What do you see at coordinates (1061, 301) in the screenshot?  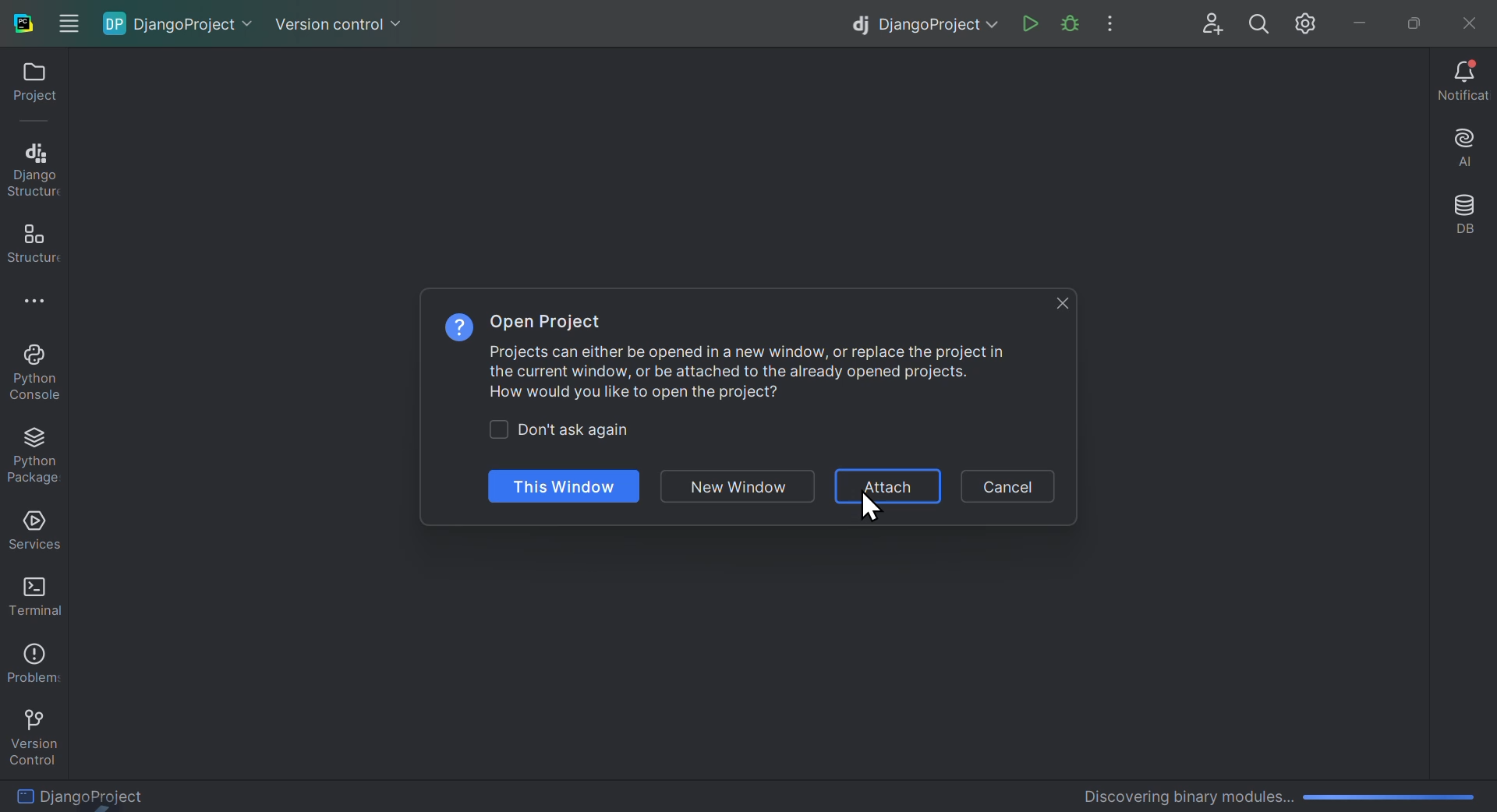 I see `Close` at bounding box center [1061, 301].